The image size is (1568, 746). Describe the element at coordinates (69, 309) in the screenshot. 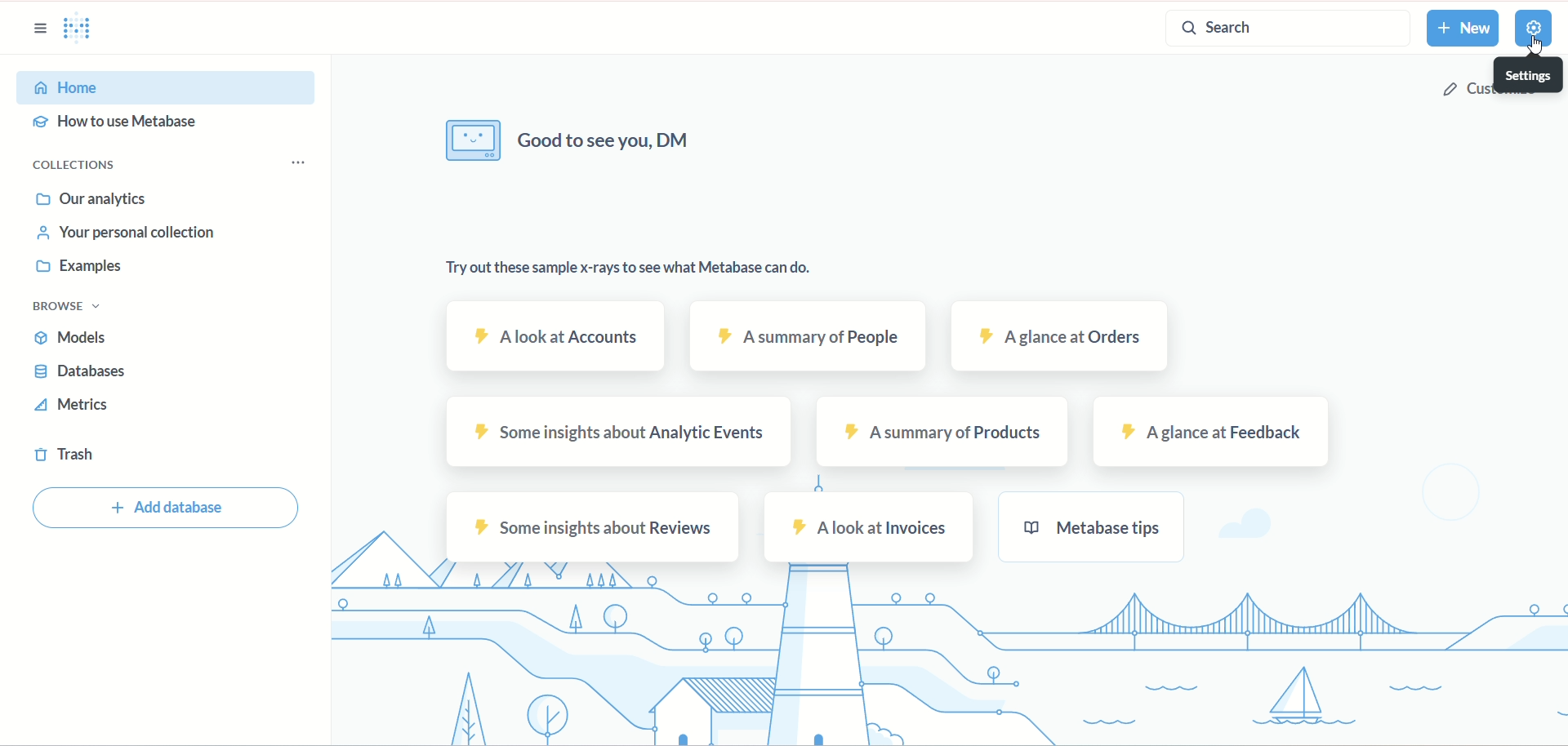

I see `browse` at that location.